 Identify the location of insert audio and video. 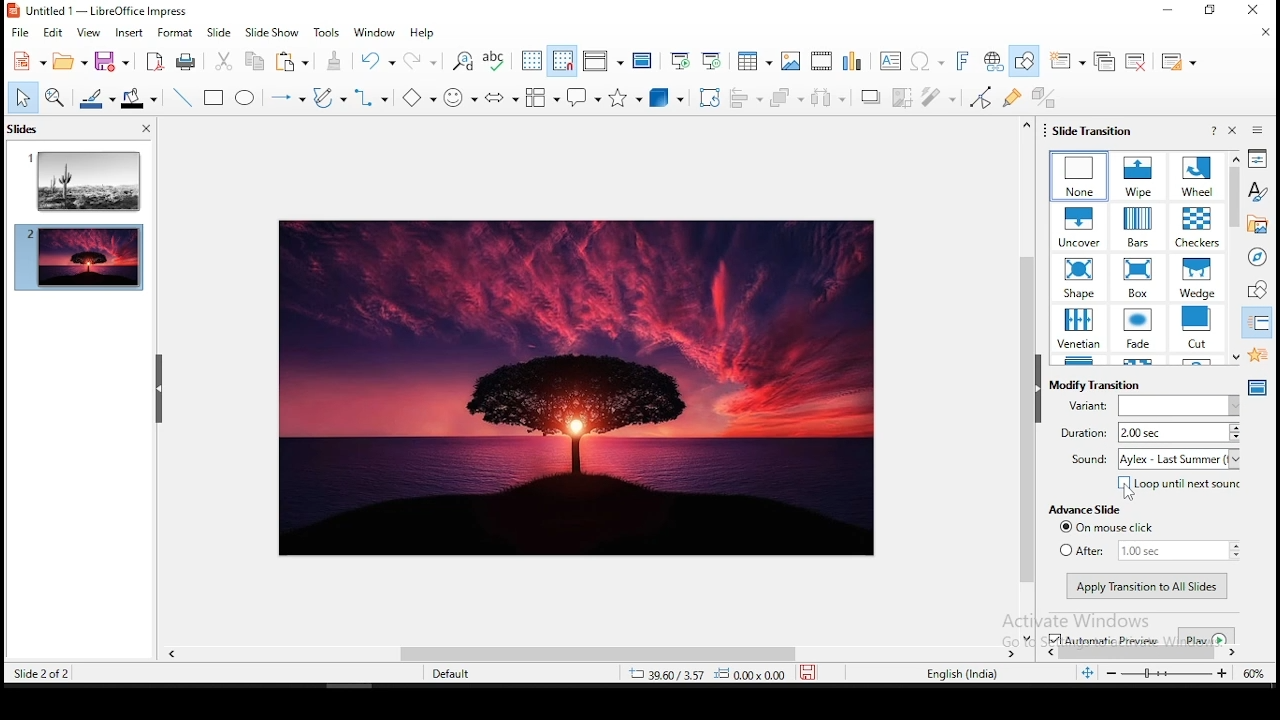
(822, 60).